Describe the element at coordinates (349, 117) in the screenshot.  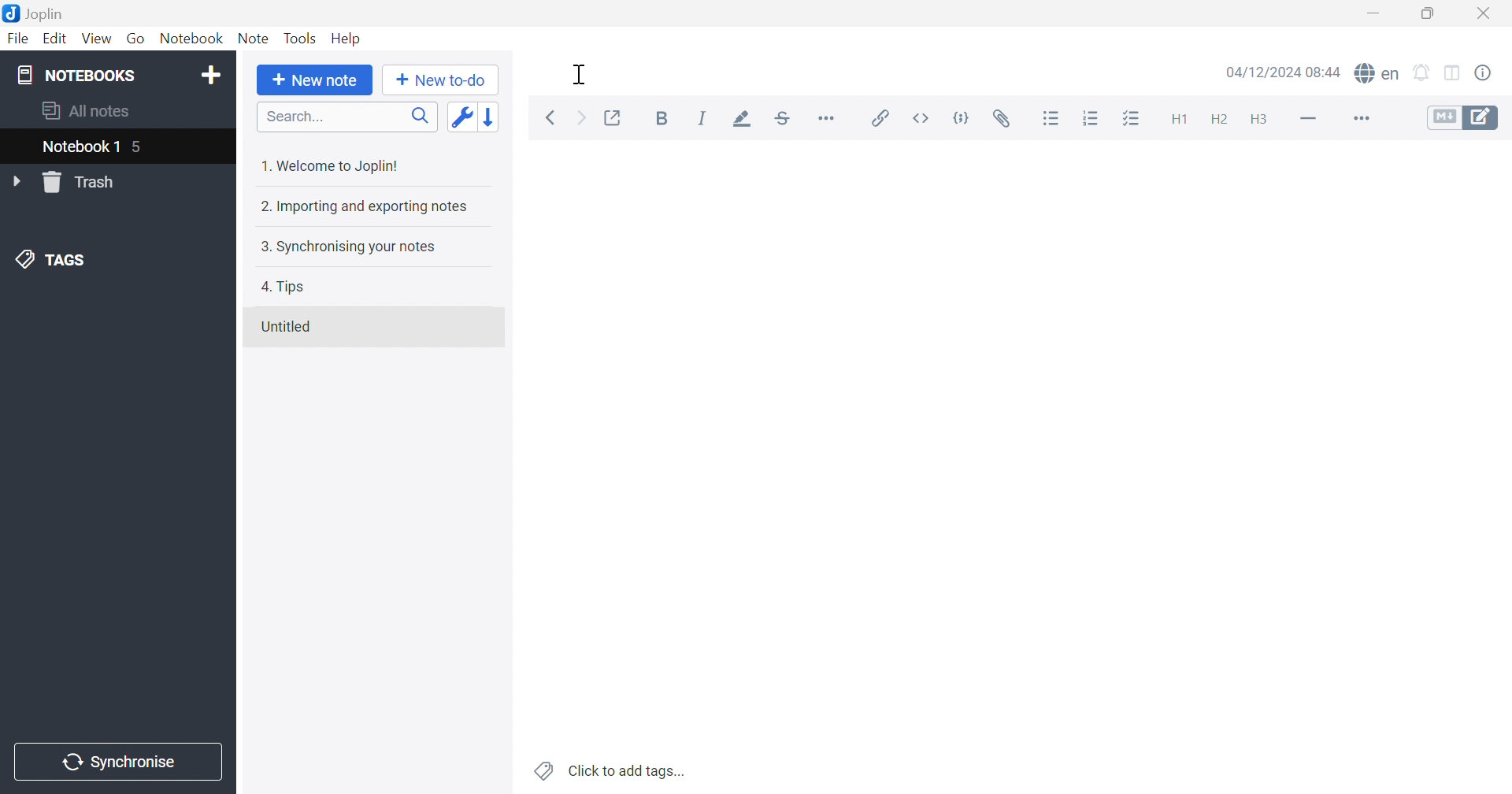
I see `Search` at that location.